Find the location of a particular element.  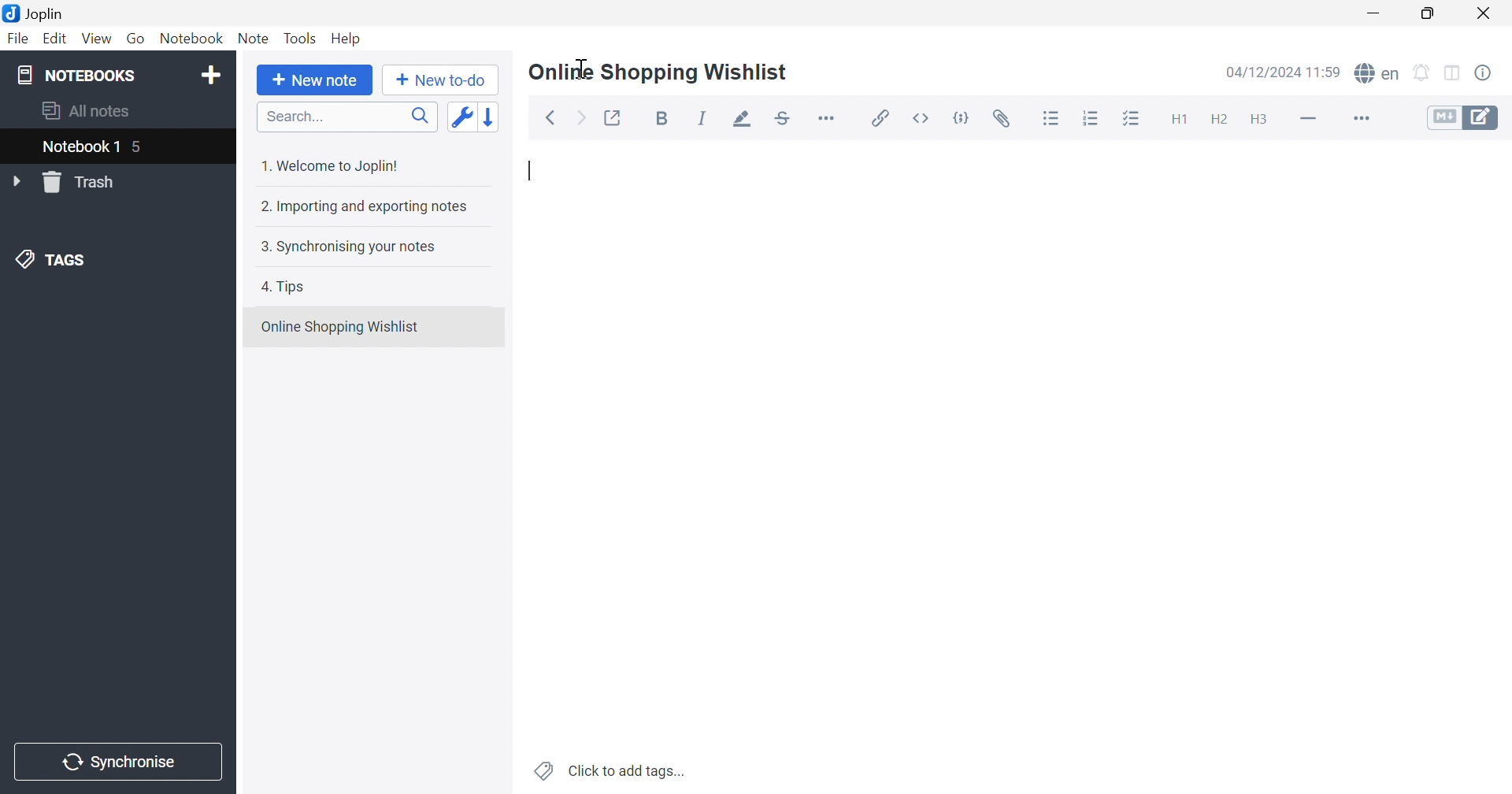

Code is located at coordinates (962, 117).